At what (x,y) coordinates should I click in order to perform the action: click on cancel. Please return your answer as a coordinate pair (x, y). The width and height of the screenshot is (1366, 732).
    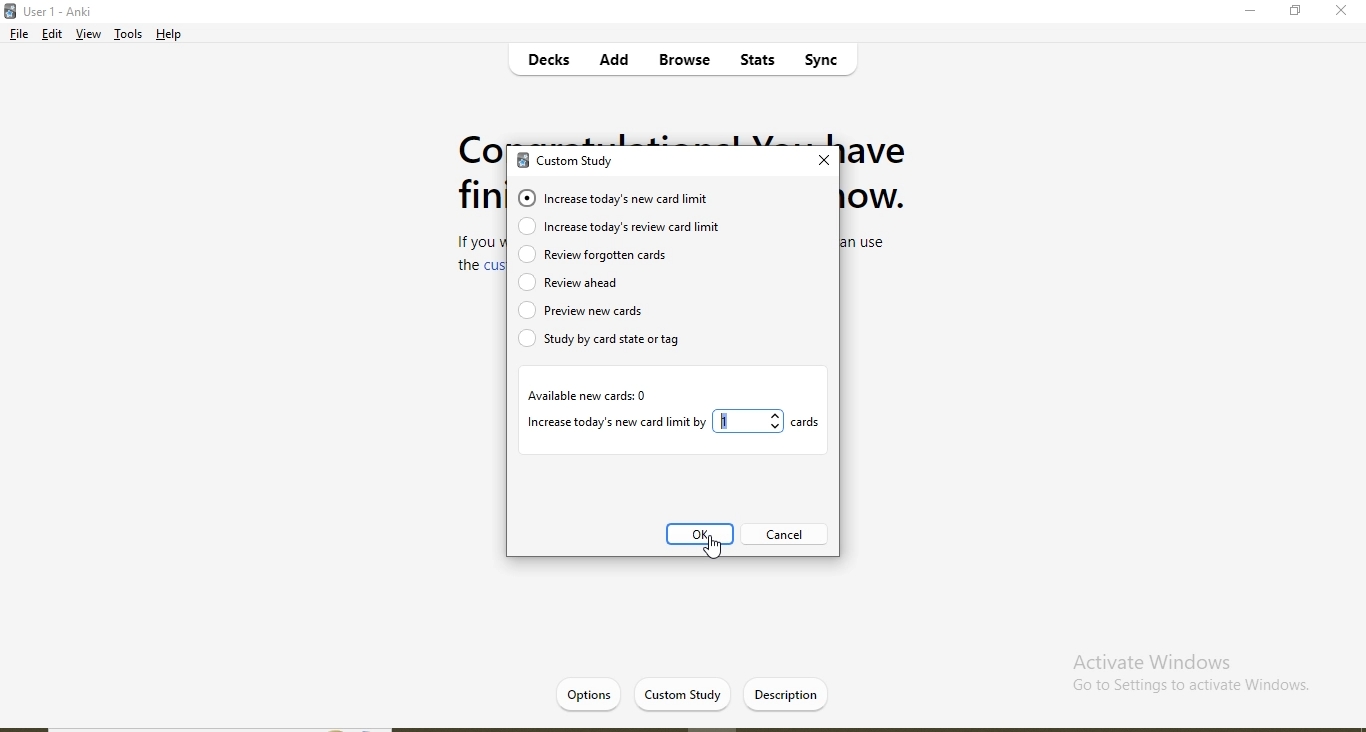
    Looking at the image, I should click on (782, 535).